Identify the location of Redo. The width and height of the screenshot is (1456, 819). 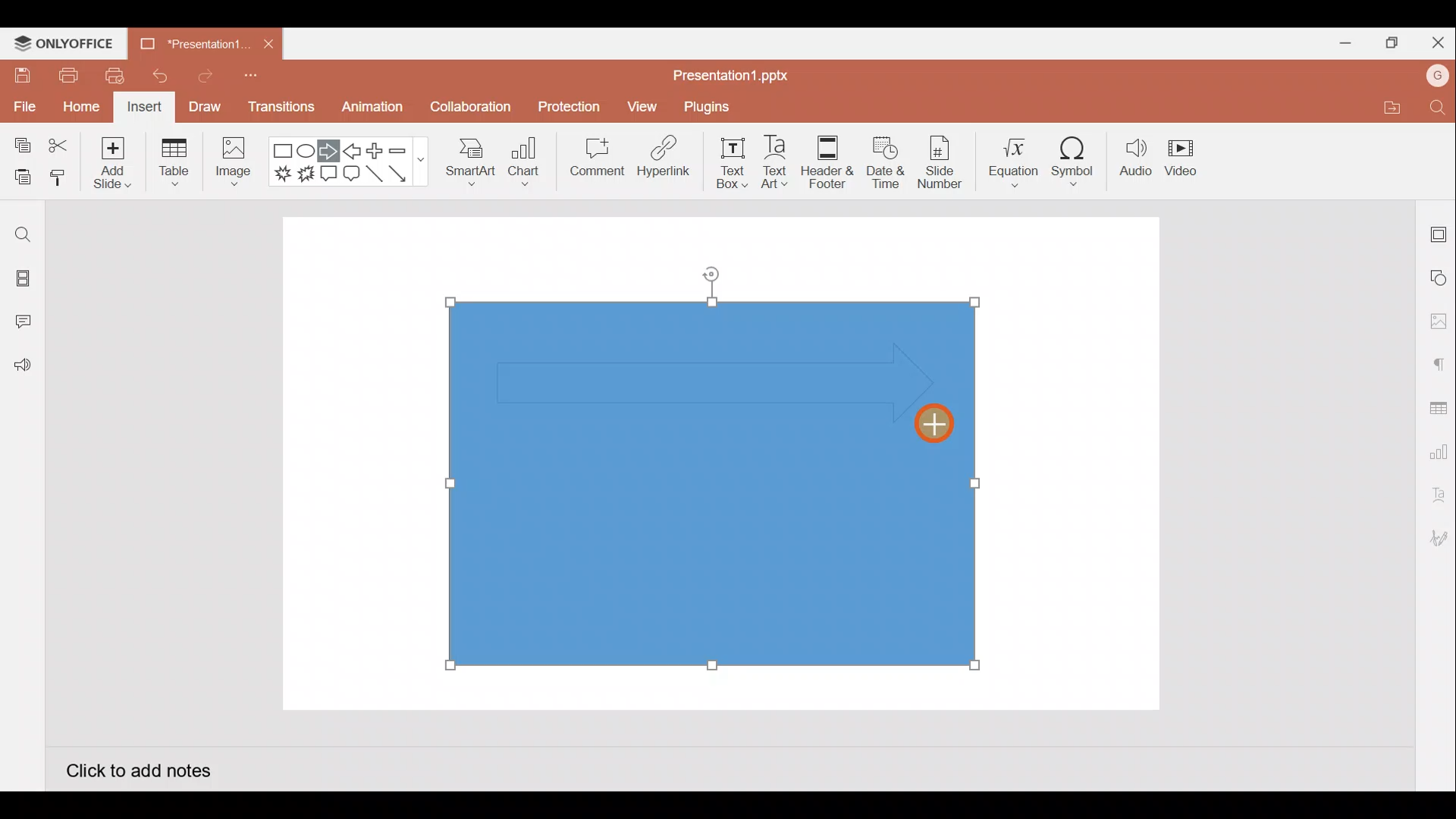
(199, 75).